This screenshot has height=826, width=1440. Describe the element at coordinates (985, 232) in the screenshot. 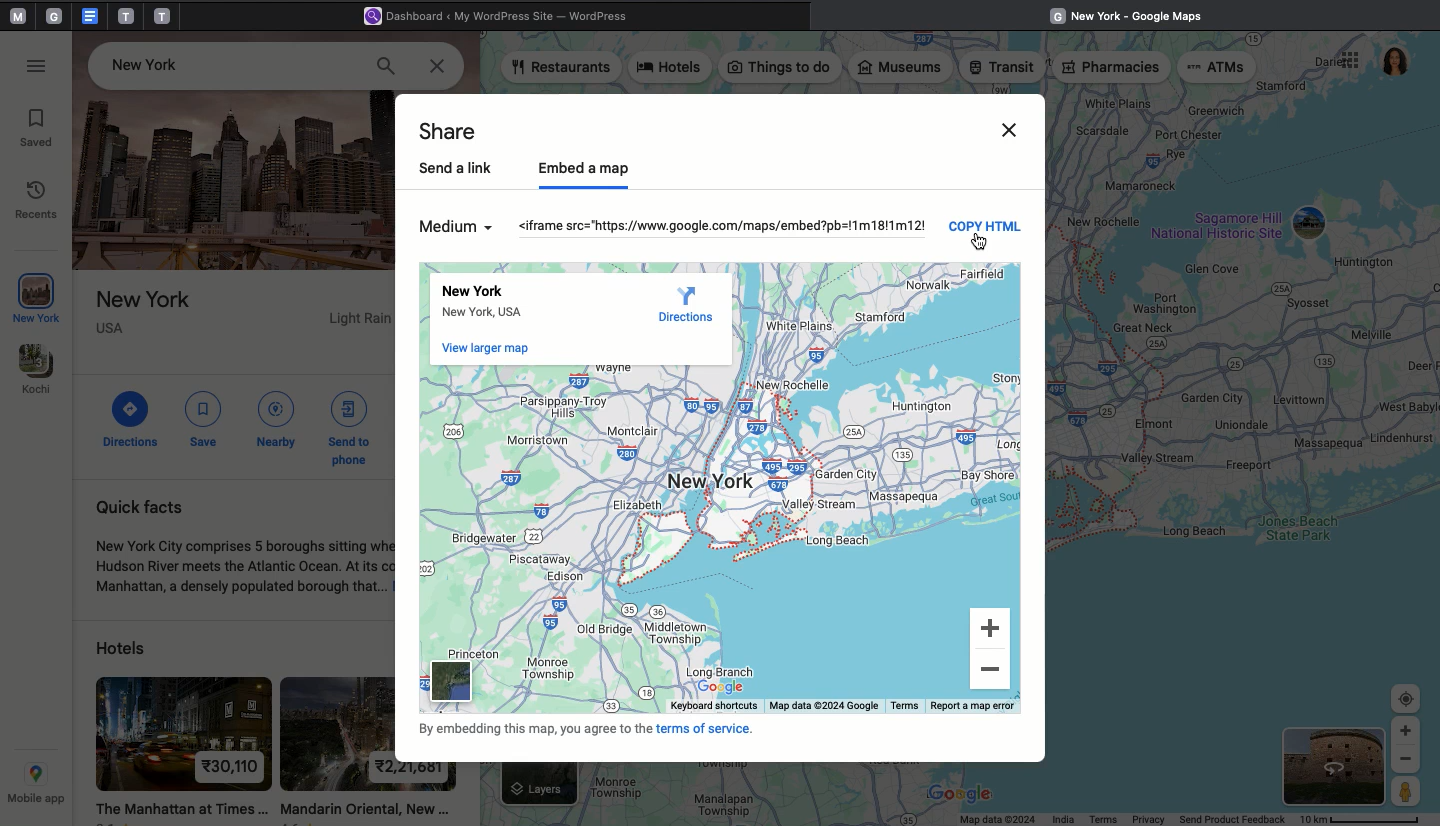

I see `Copy html` at that location.